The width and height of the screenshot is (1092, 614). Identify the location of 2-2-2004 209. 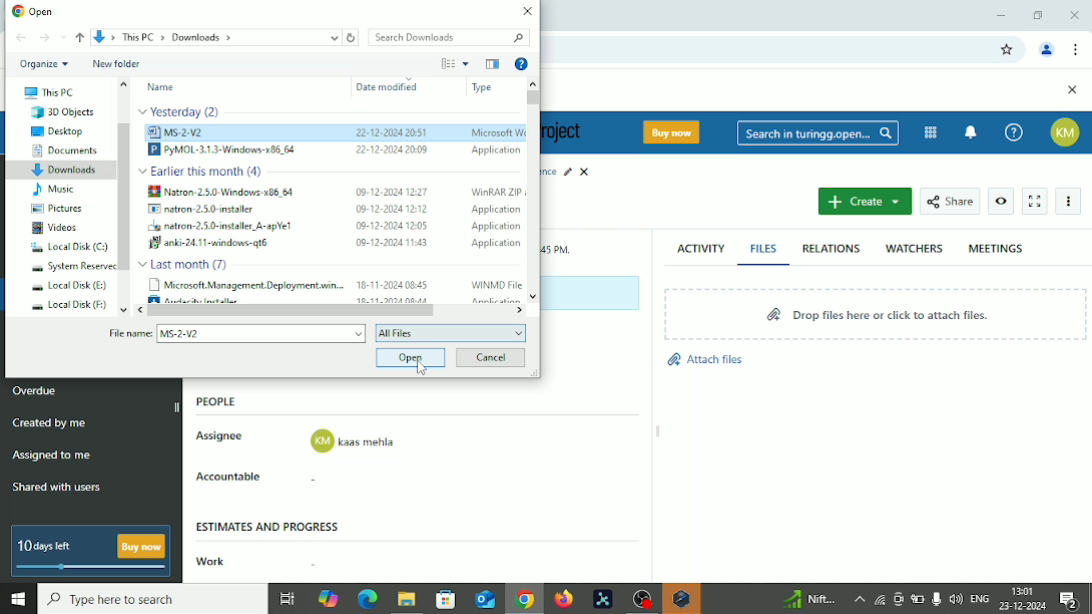
(388, 132).